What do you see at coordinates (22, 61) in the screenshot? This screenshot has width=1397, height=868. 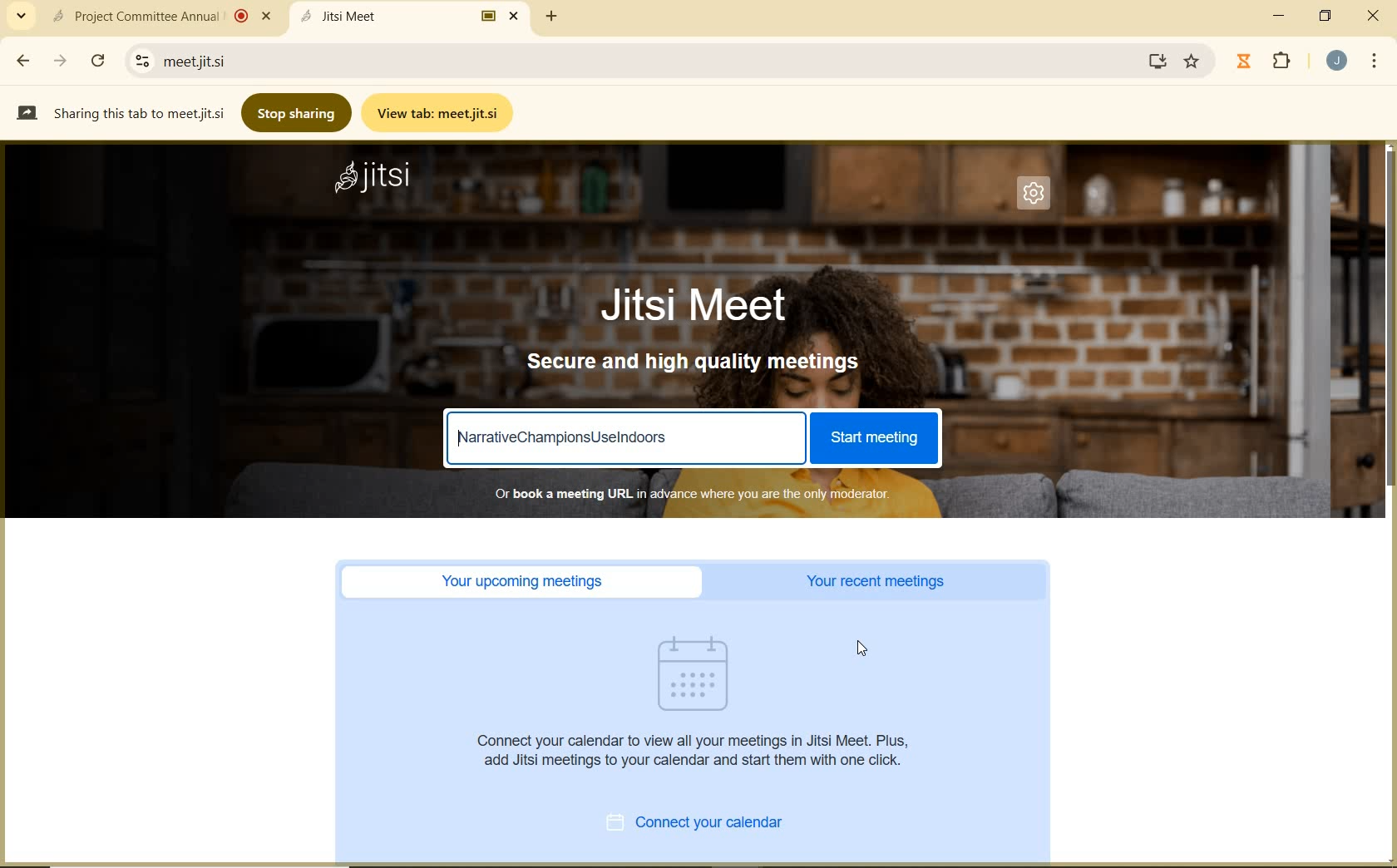 I see `BACK` at bounding box center [22, 61].